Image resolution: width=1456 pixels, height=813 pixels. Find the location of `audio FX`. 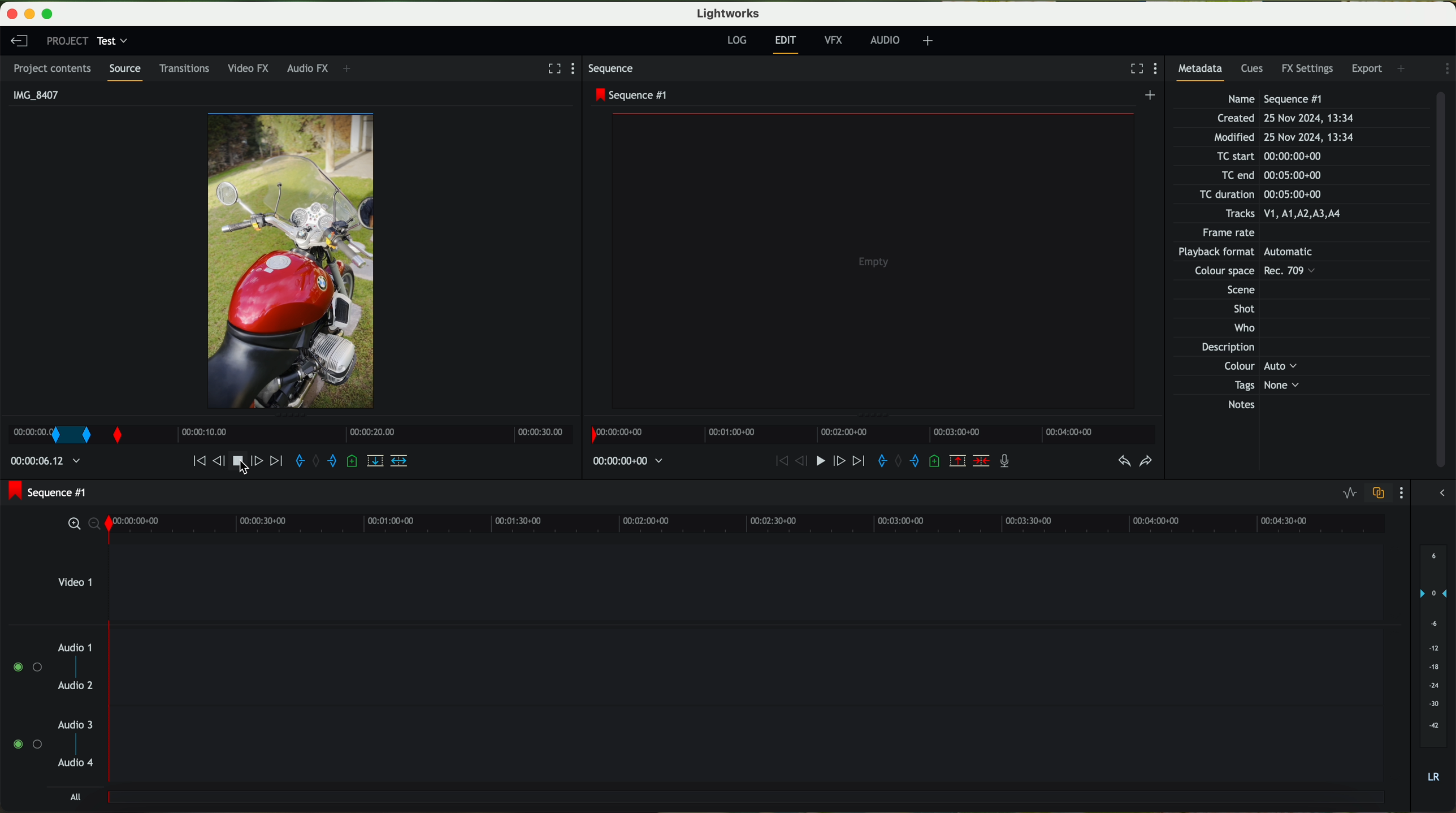

audio FX is located at coordinates (306, 68).